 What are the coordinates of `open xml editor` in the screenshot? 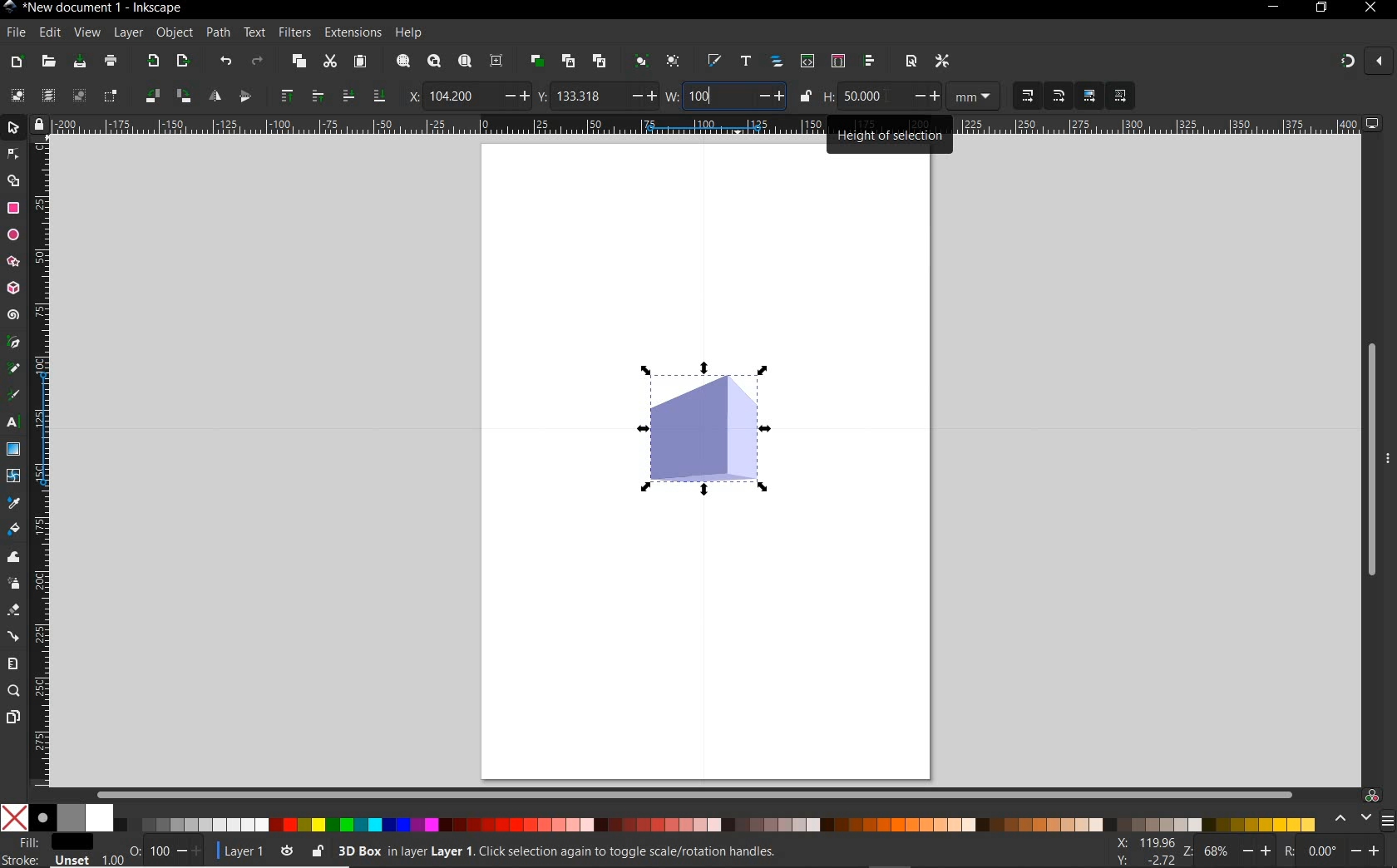 It's located at (807, 61).